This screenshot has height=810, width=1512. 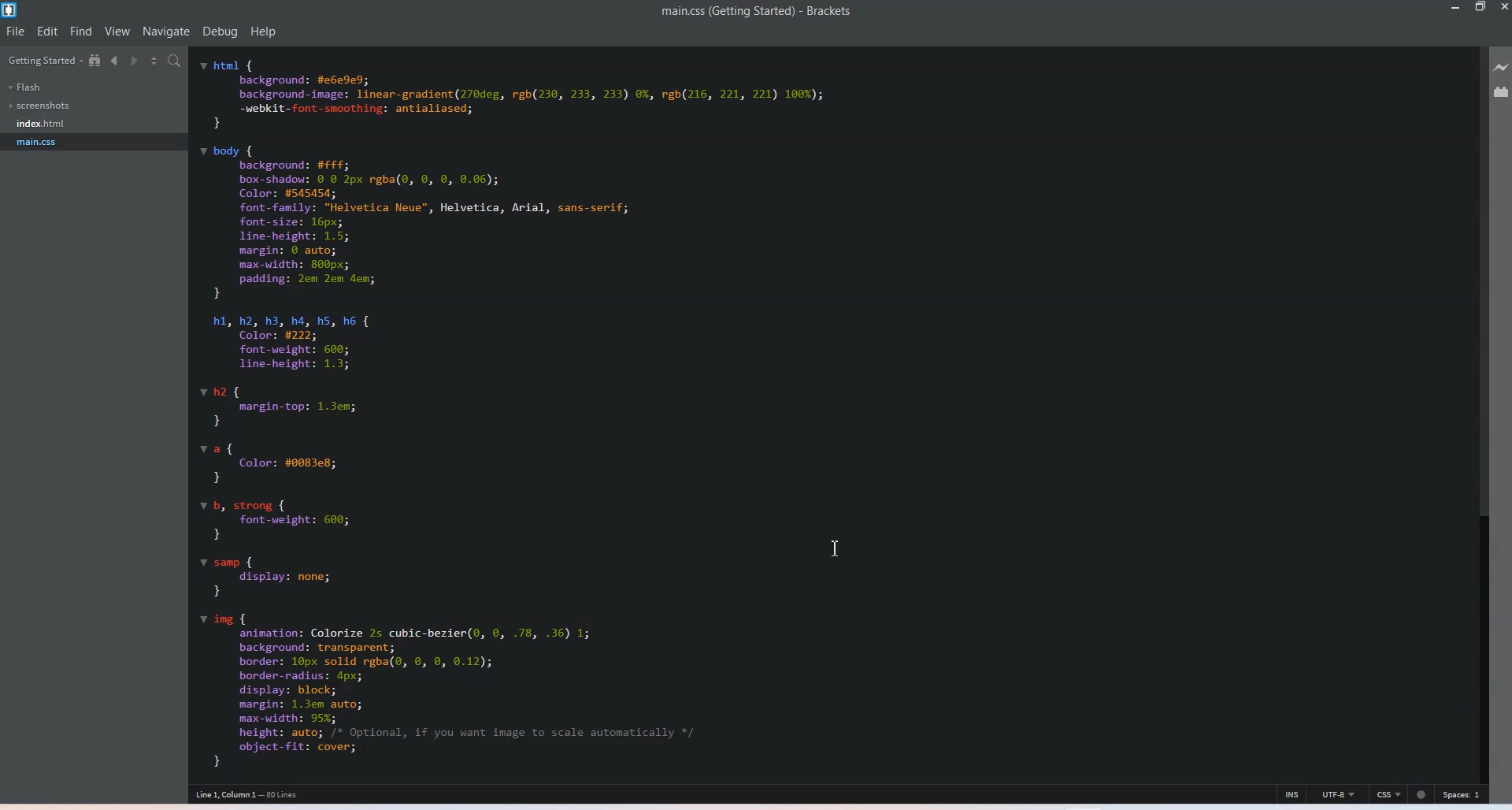 I want to click on Logo, so click(x=12, y=11).